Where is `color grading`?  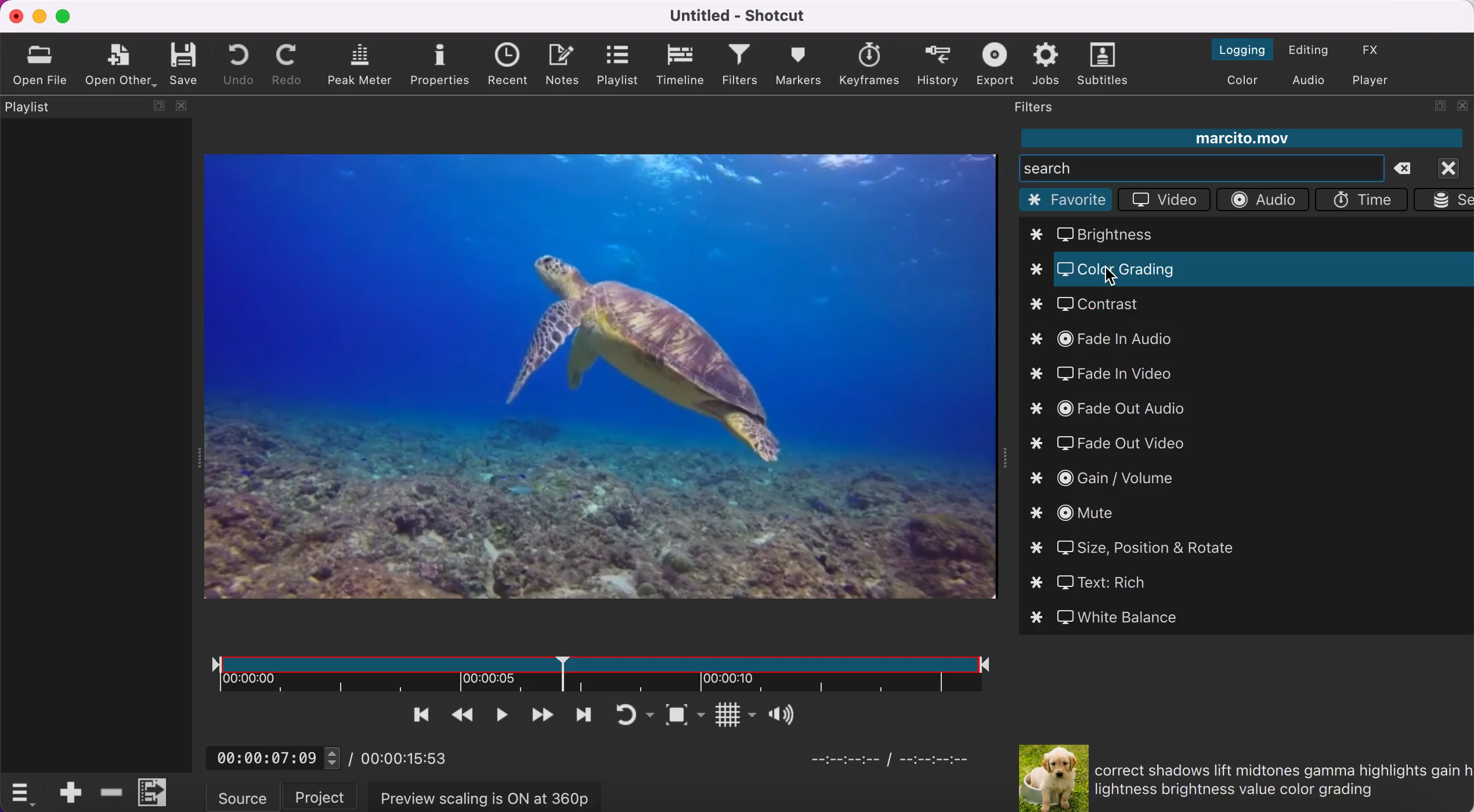 color grading is located at coordinates (1040, 269).